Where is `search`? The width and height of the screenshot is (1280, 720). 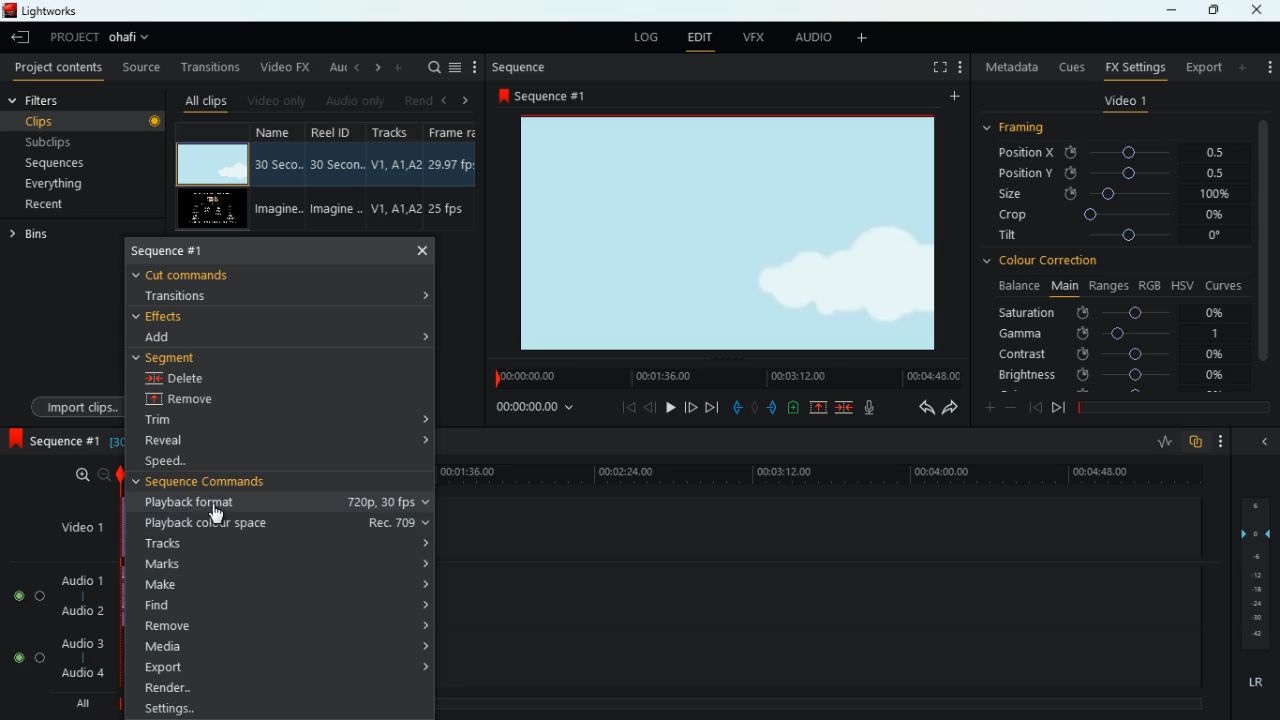 search is located at coordinates (427, 67).